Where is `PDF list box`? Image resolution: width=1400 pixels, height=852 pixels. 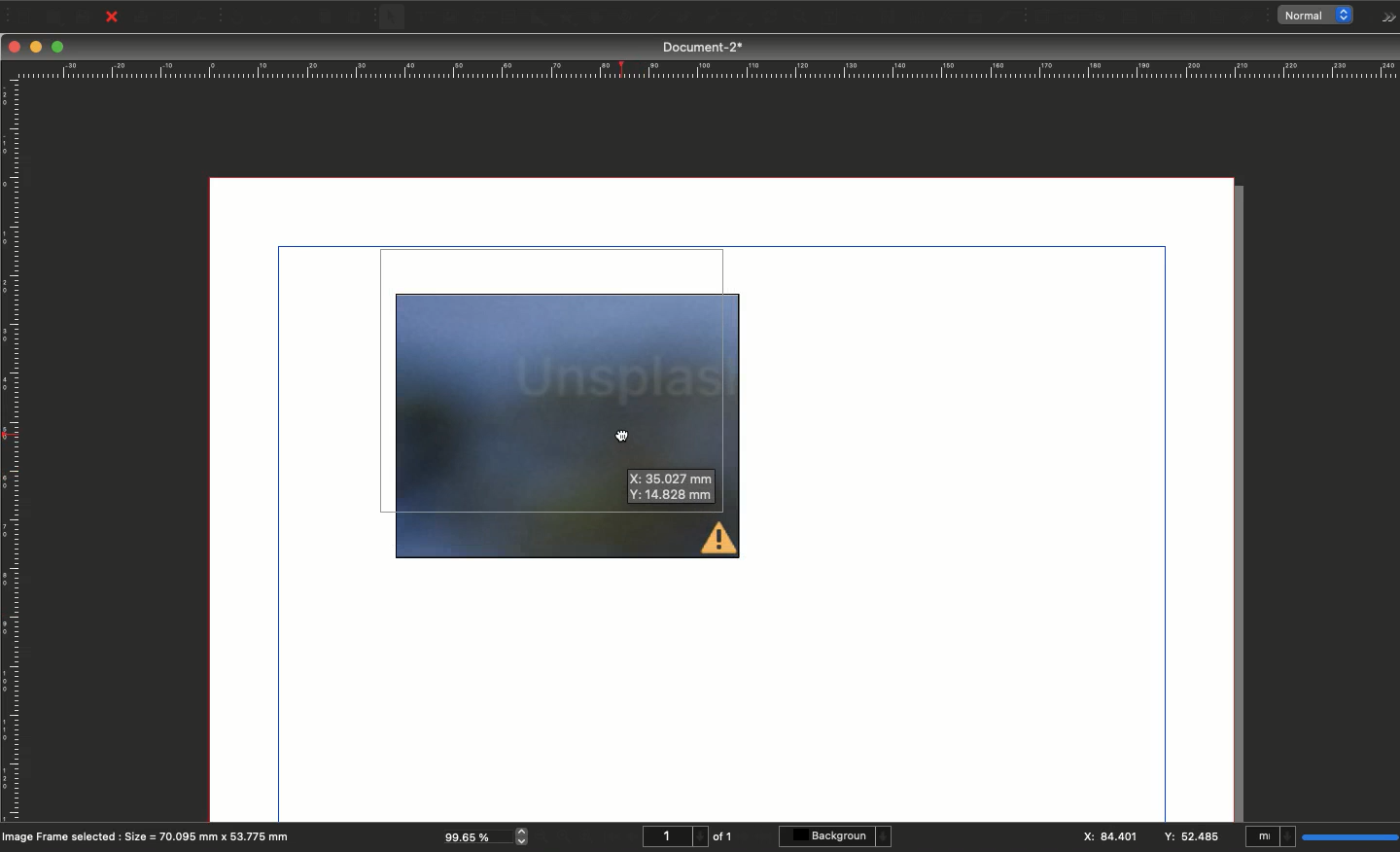
PDF list box is located at coordinates (1189, 18).